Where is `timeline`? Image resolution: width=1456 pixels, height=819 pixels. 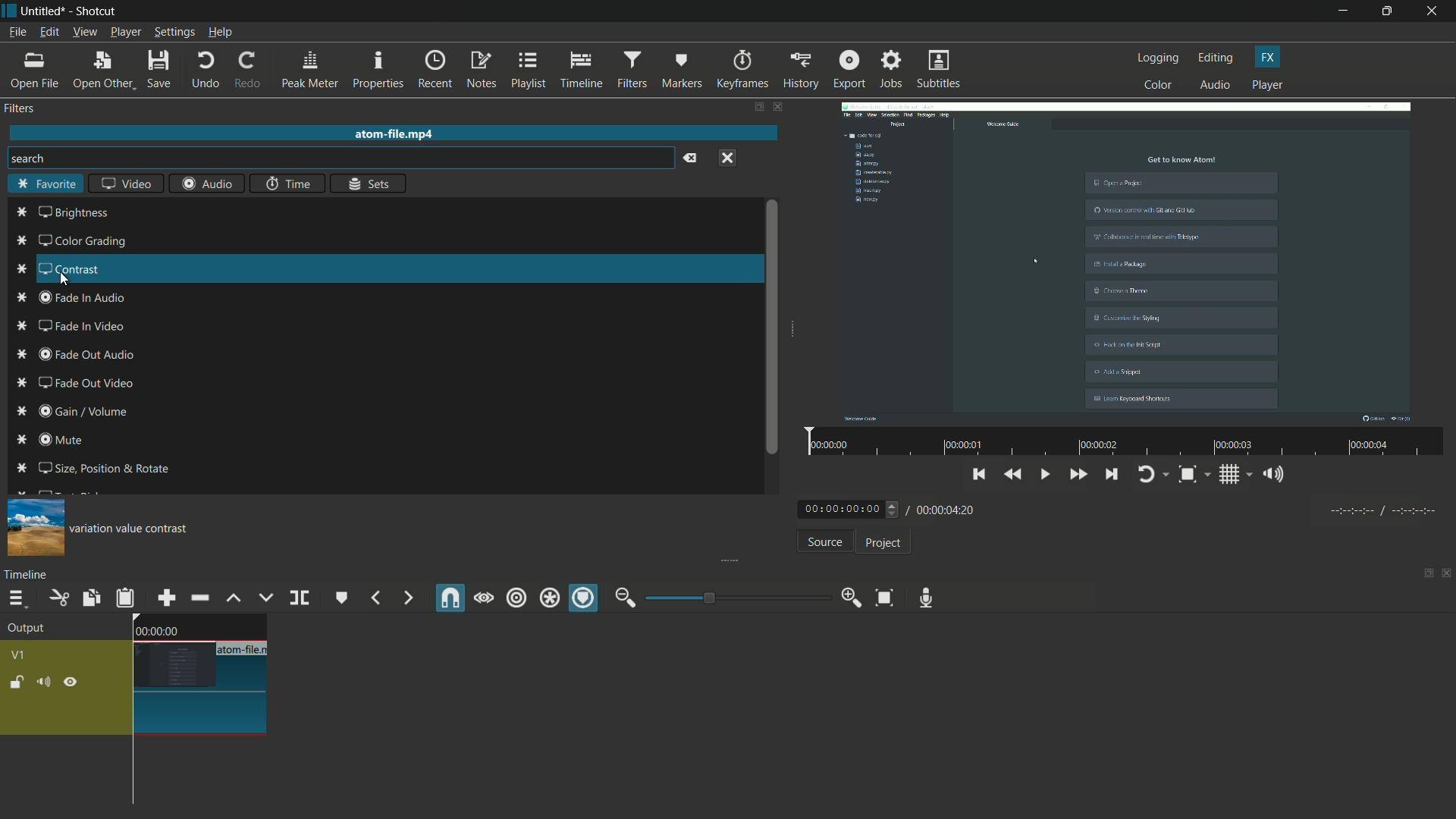
timeline is located at coordinates (582, 71).